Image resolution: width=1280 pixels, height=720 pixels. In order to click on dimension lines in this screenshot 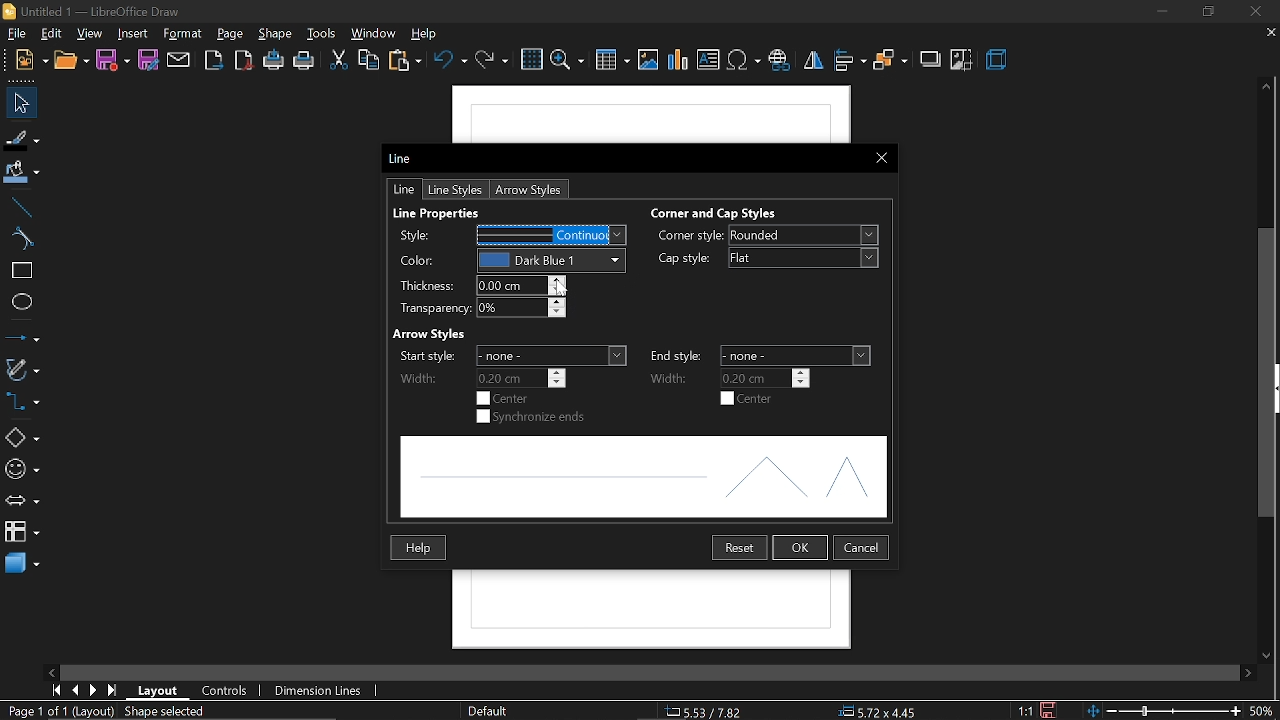, I will do `click(319, 692)`.